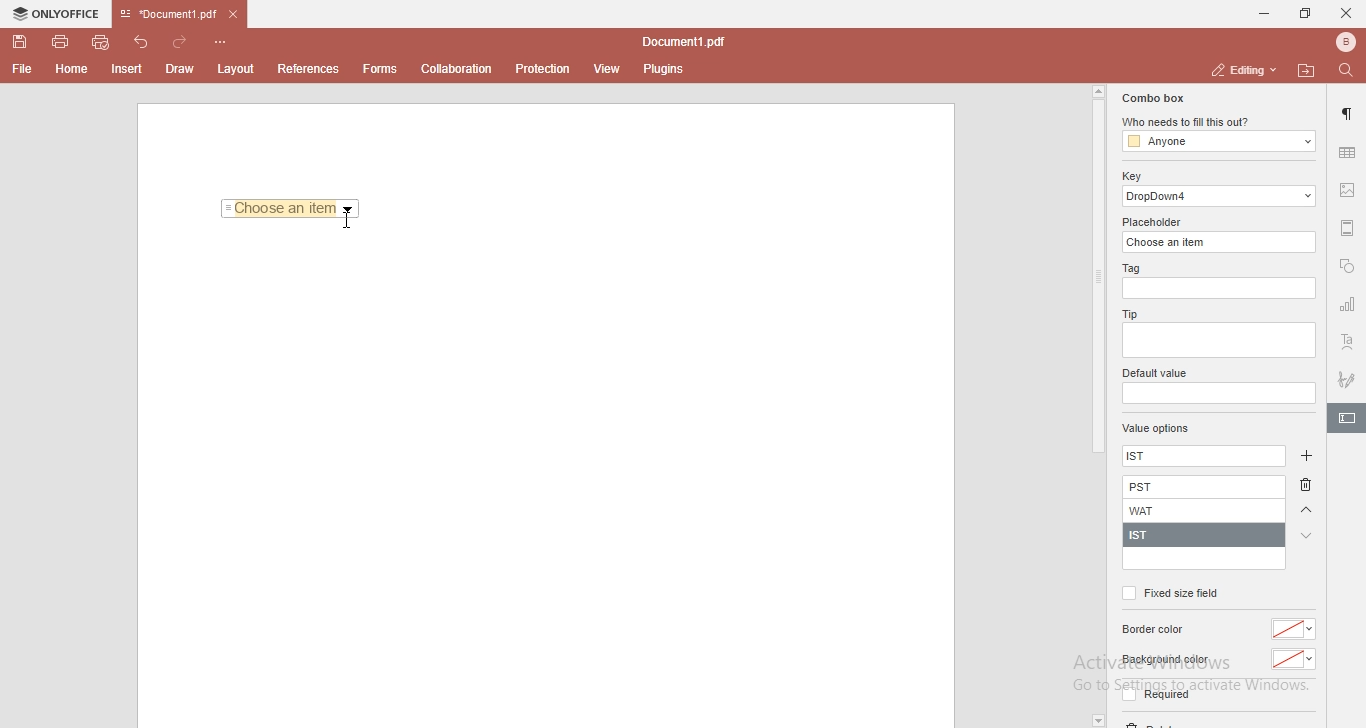 The height and width of the screenshot is (728, 1366). I want to click on text, so click(1348, 343).